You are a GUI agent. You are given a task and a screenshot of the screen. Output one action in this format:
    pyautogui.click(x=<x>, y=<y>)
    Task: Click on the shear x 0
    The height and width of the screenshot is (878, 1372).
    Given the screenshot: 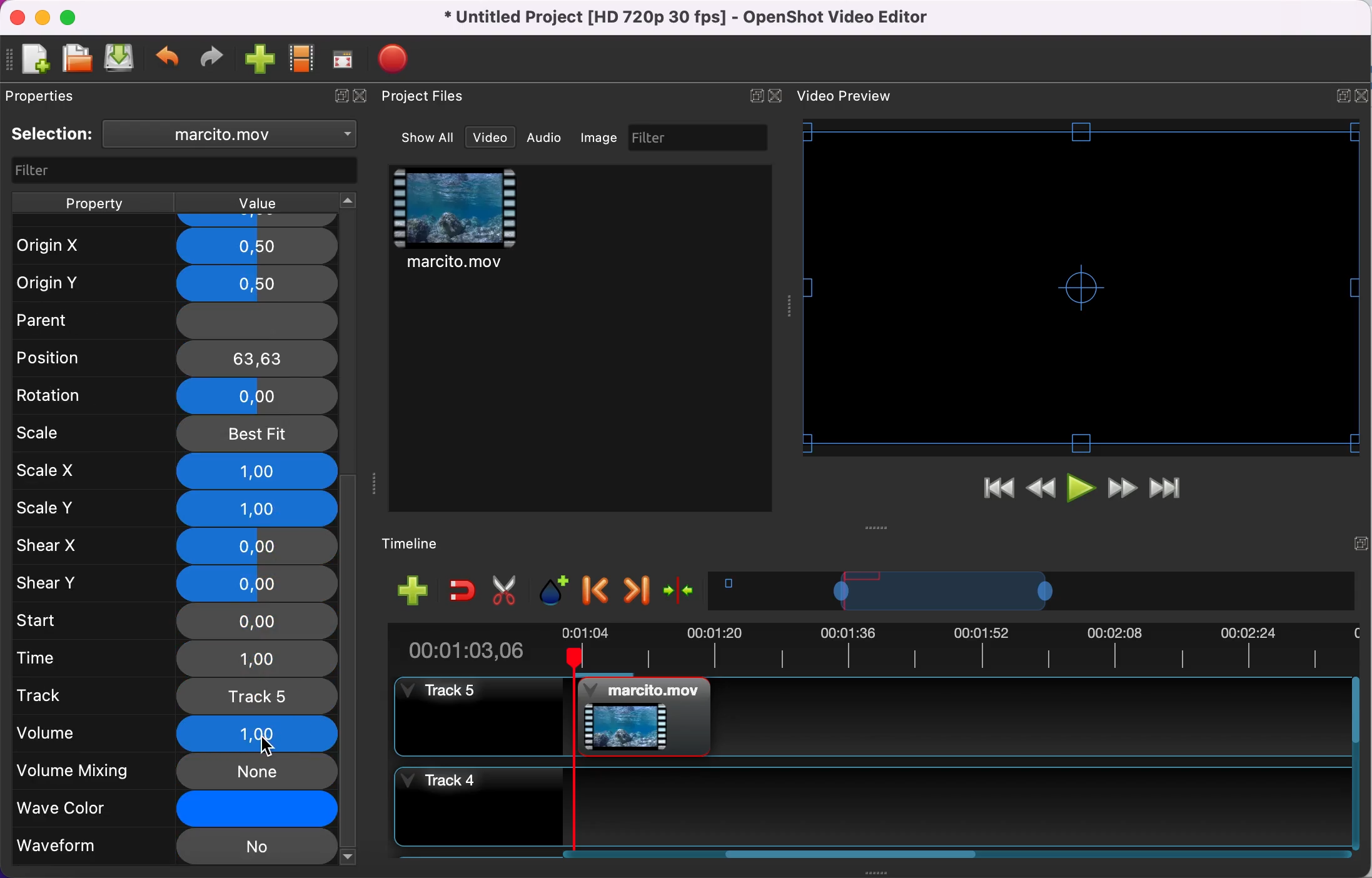 What is the action you would take?
    pyautogui.click(x=175, y=547)
    